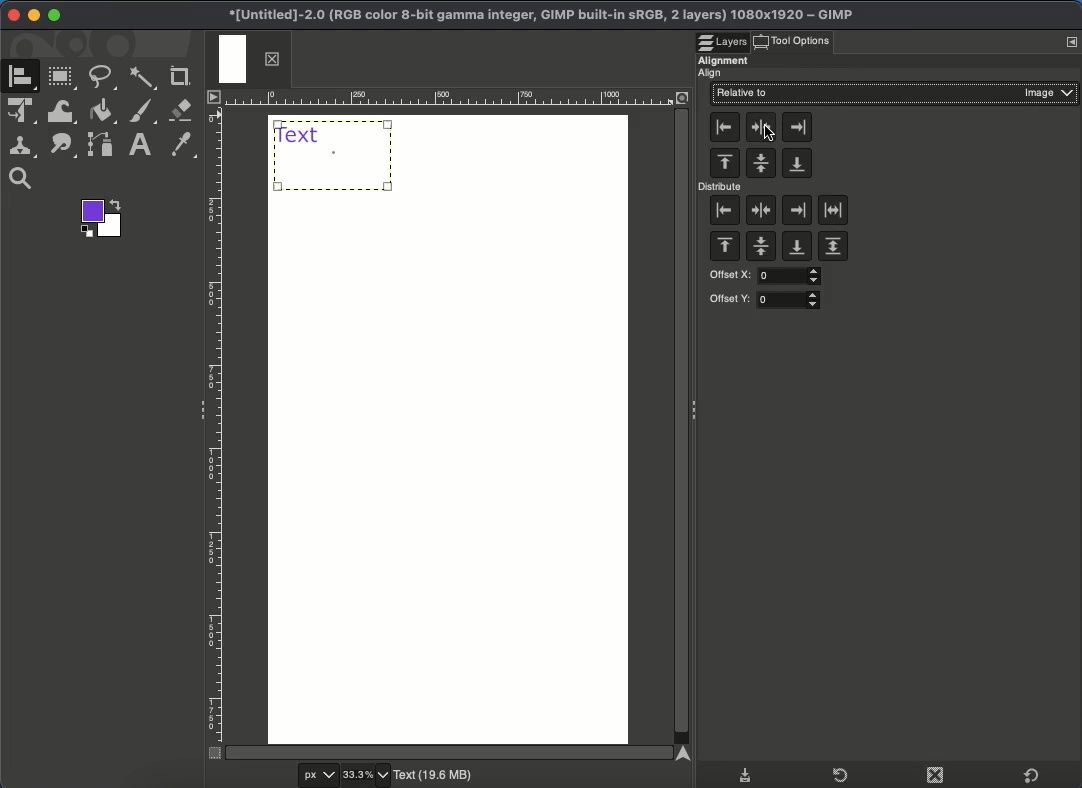 The image size is (1082, 788). I want to click on Menu, so click(1071, 42).